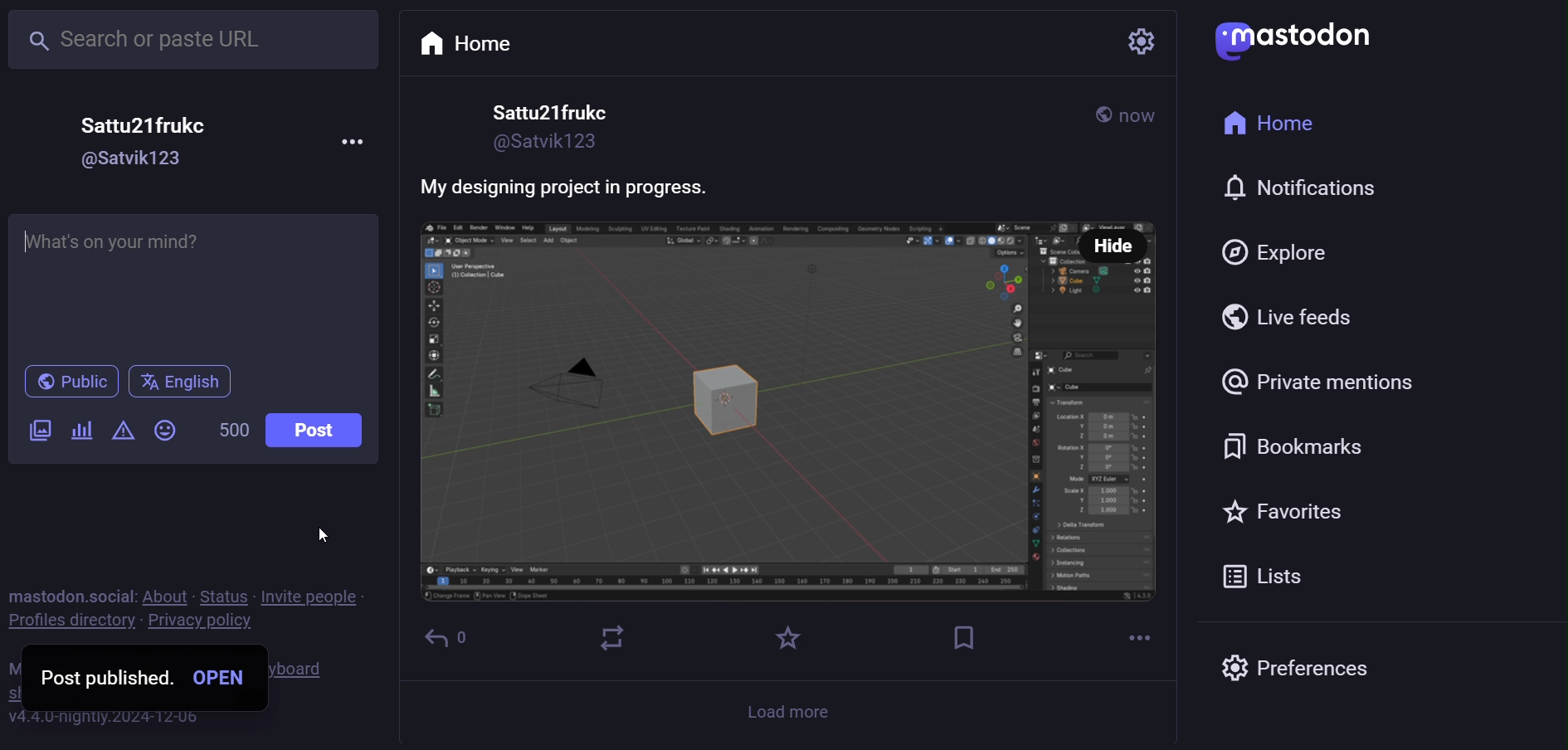 The height and width of the screenshot is (750, 1568). Describe the element at coordinates (1301, 126) in the screenshot. I see `home` at that location.